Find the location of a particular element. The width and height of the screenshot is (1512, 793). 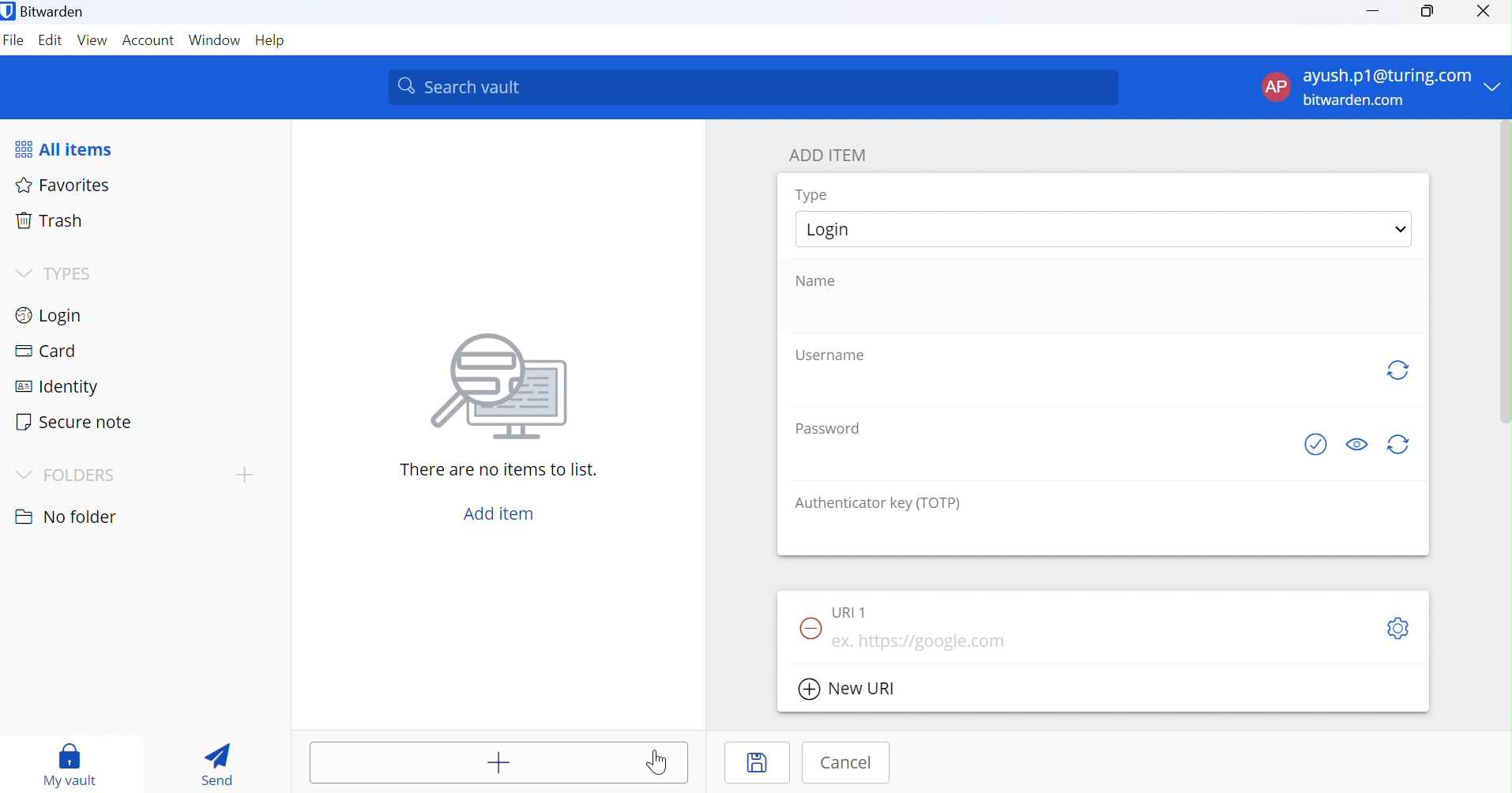

add name is located at coordinates (1102, 312).